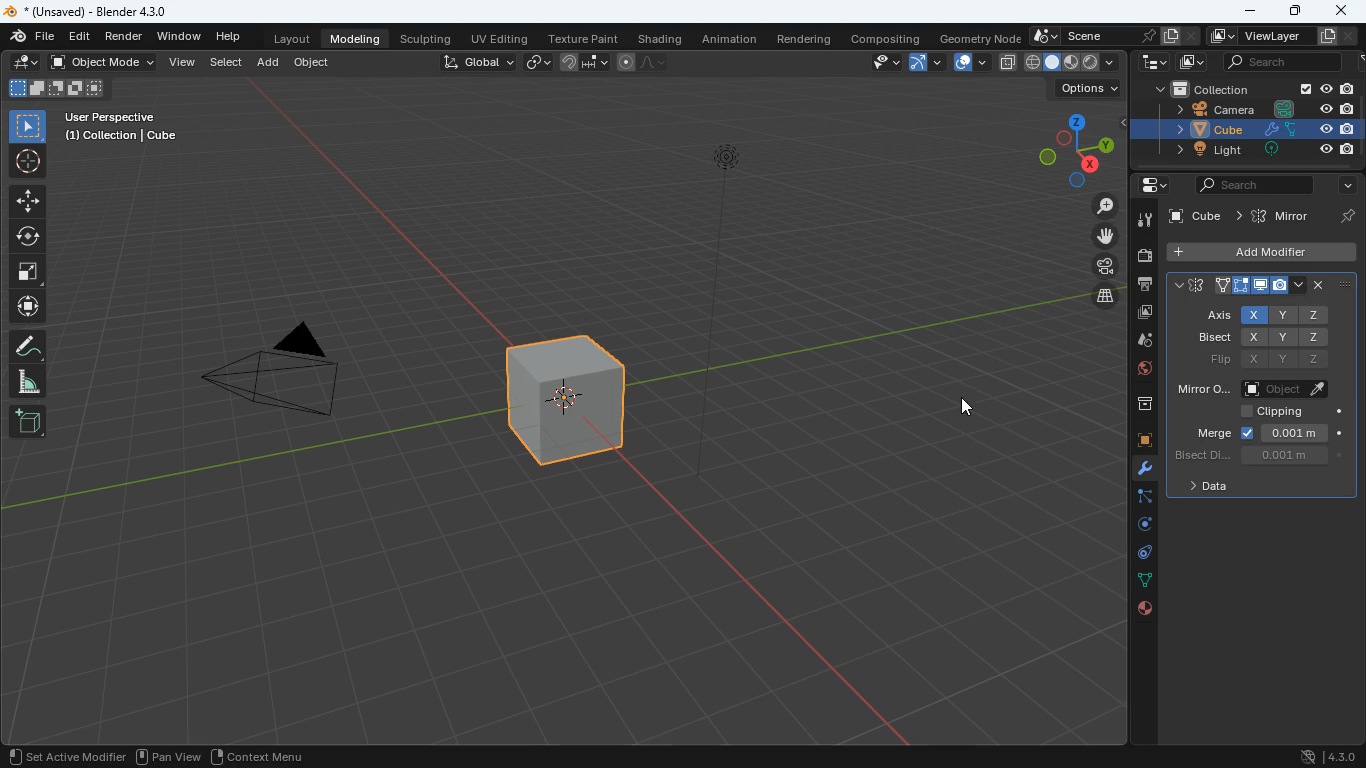 The width and height of the screenshot is (1366, 768). I want to click on public, so click(1138, 370).